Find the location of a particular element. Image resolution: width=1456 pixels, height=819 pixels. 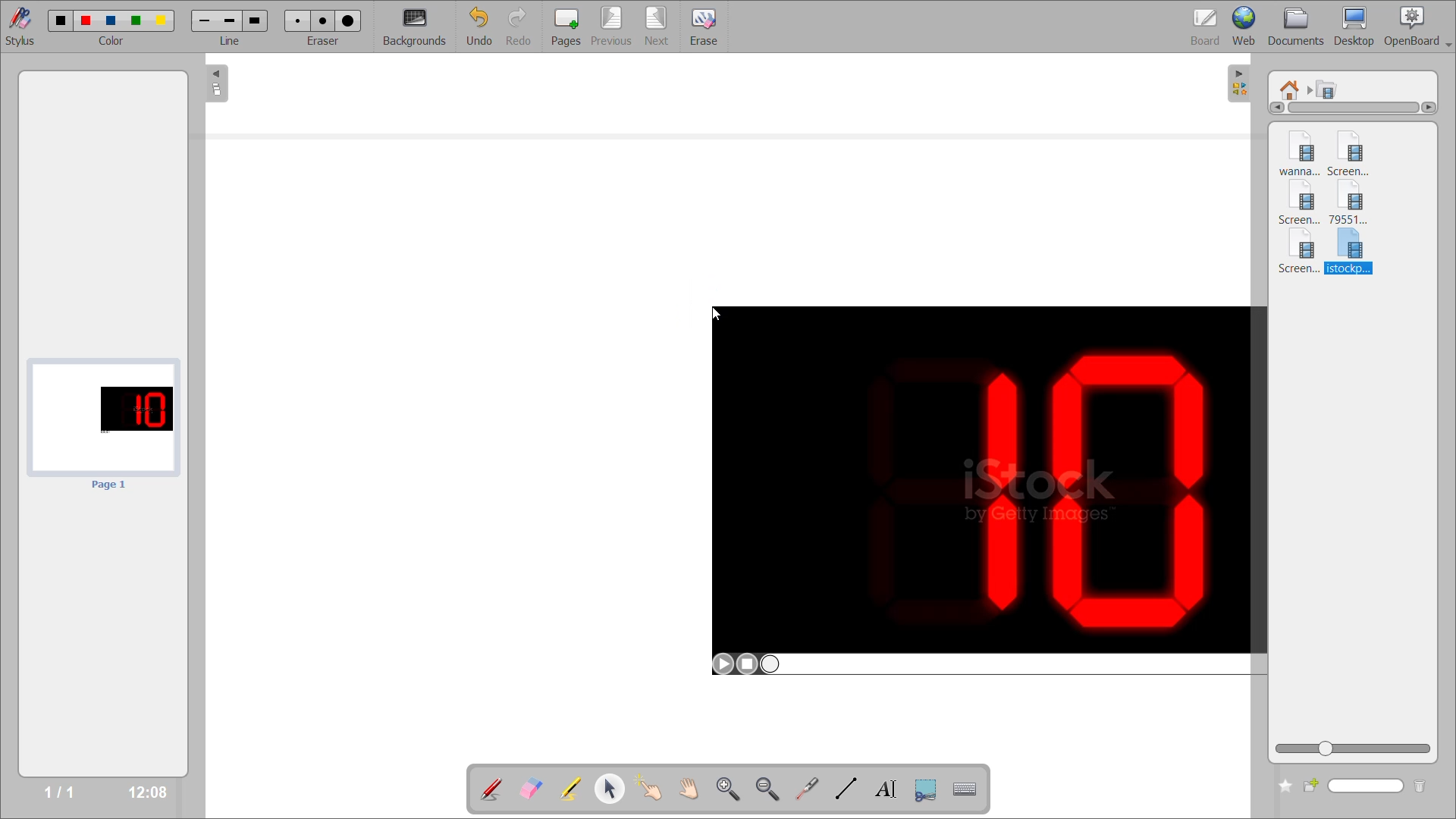

desktop is located at coordinates (1358, 27).